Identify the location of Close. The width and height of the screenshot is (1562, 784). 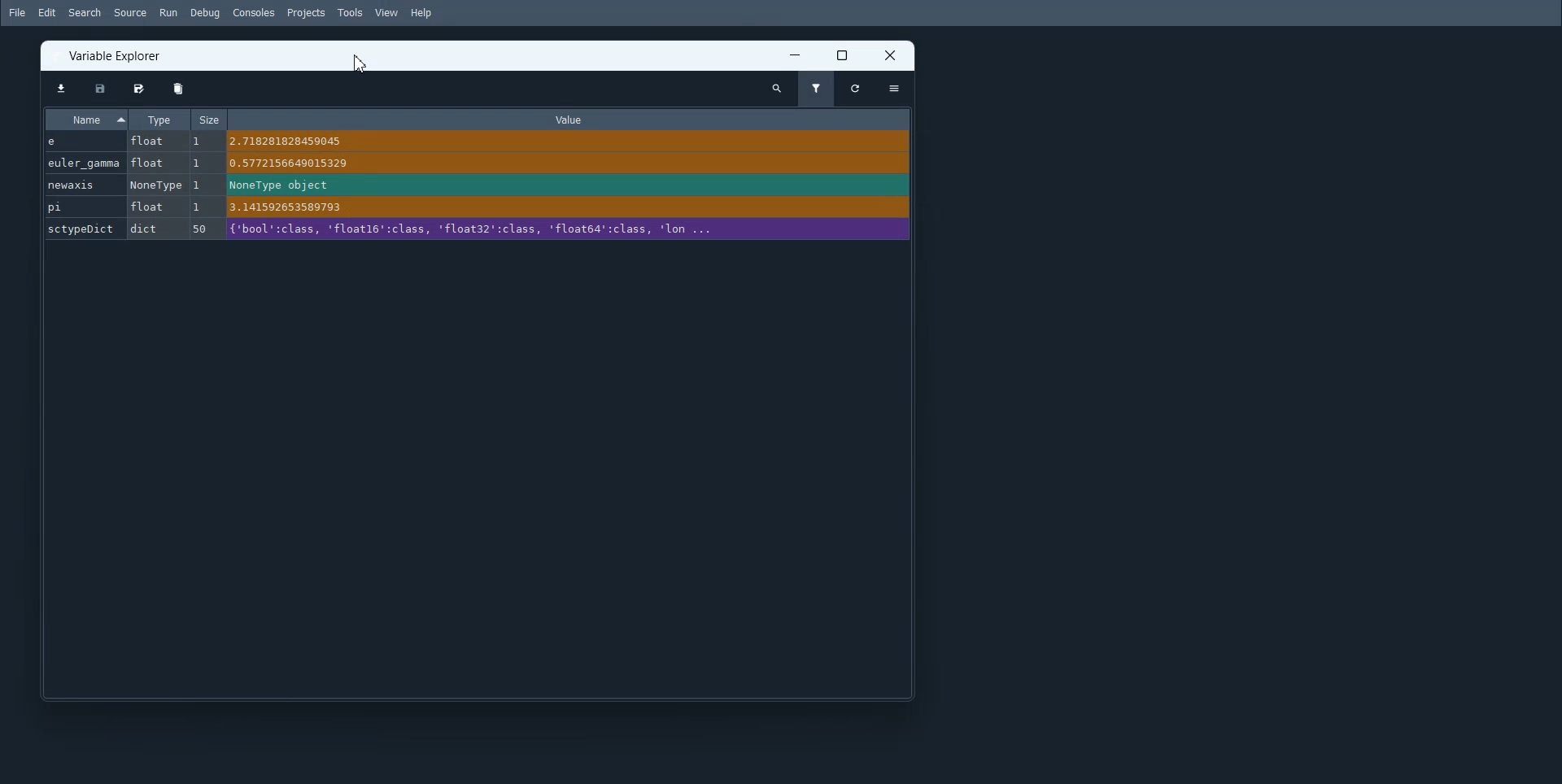
(892, 55).